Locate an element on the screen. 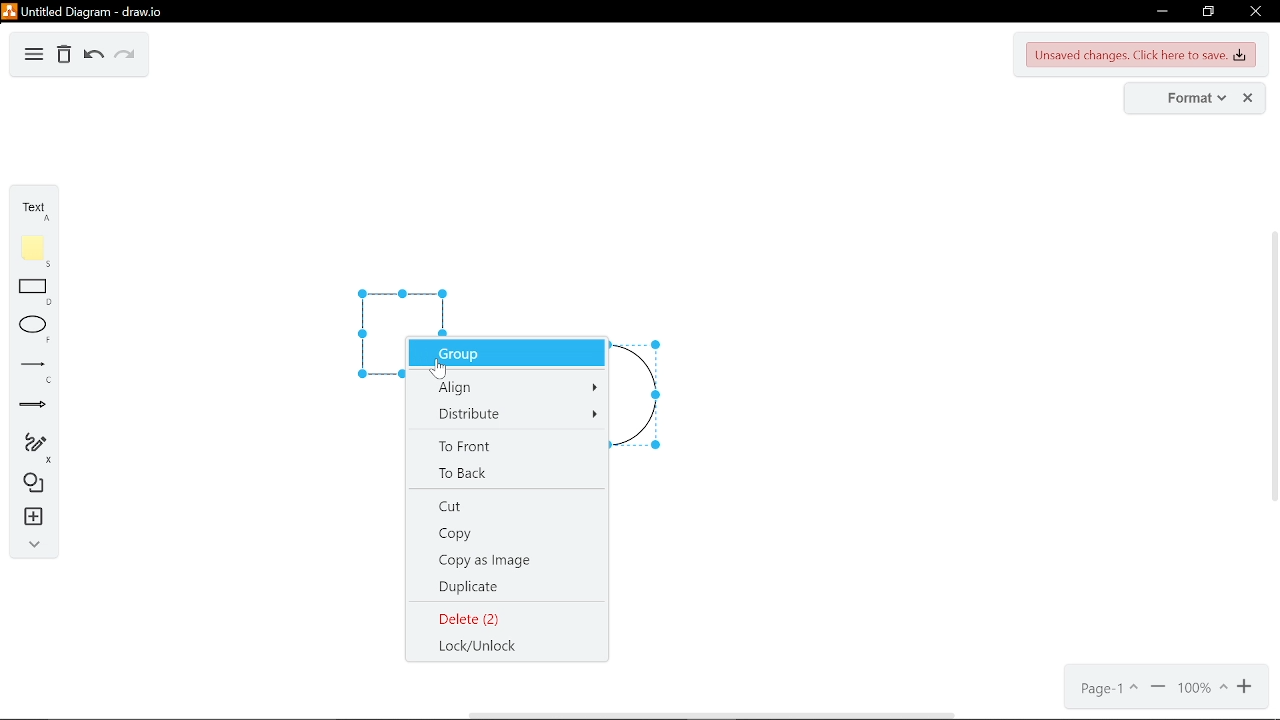  cut is located at coordinates (506, 507).